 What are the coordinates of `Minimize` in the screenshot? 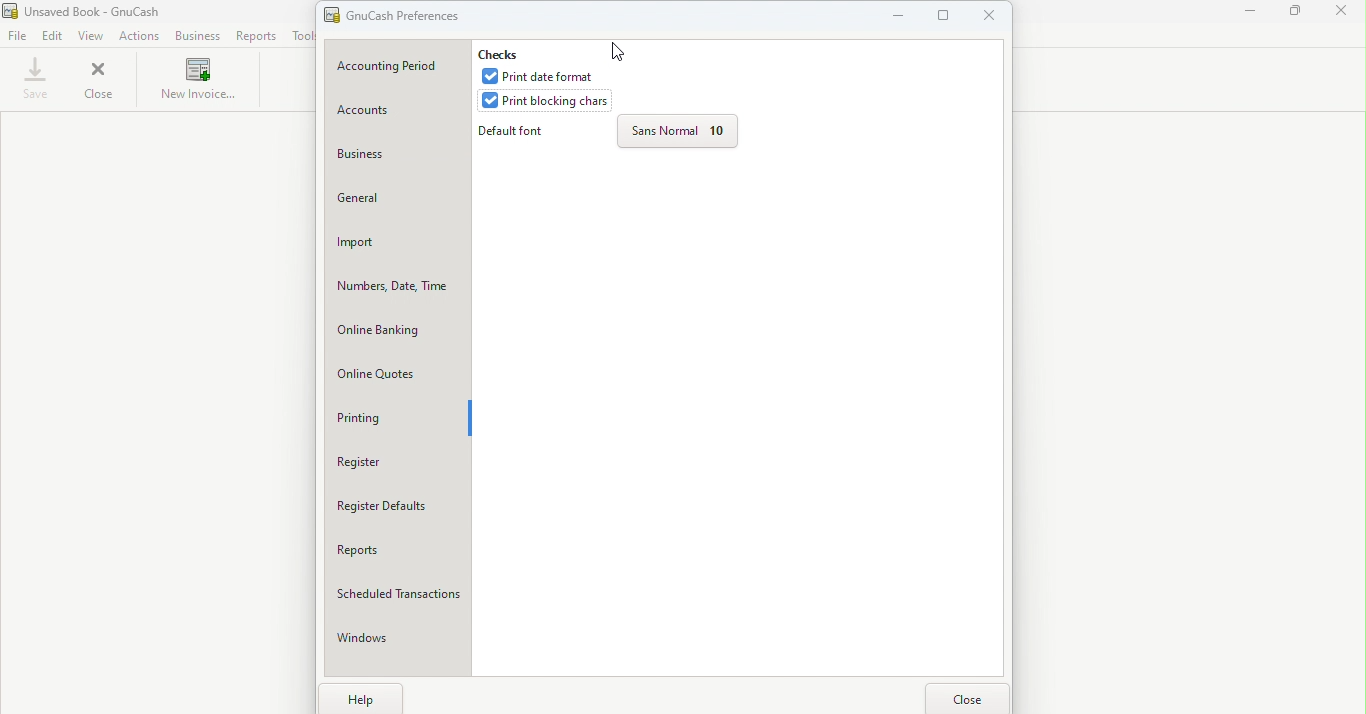 It's located at (898, 14).